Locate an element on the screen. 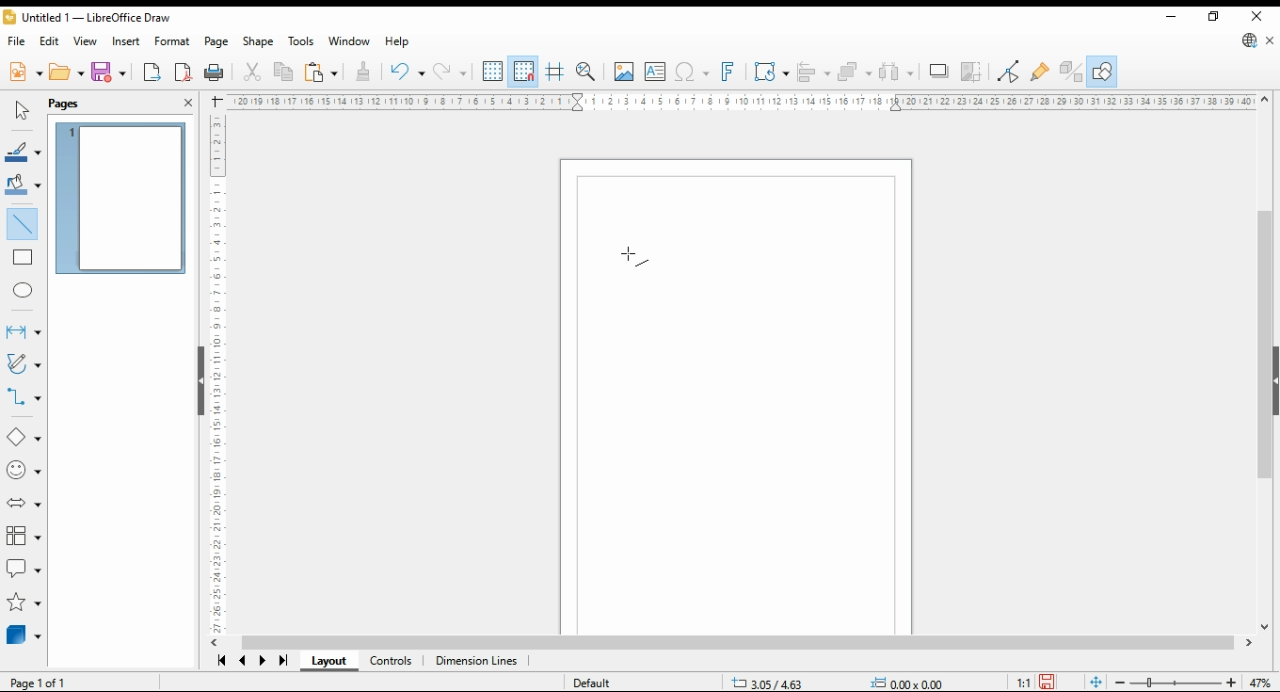 This screenshot has height=692, width=1280. collapse is located at coordinates (1274, 379).